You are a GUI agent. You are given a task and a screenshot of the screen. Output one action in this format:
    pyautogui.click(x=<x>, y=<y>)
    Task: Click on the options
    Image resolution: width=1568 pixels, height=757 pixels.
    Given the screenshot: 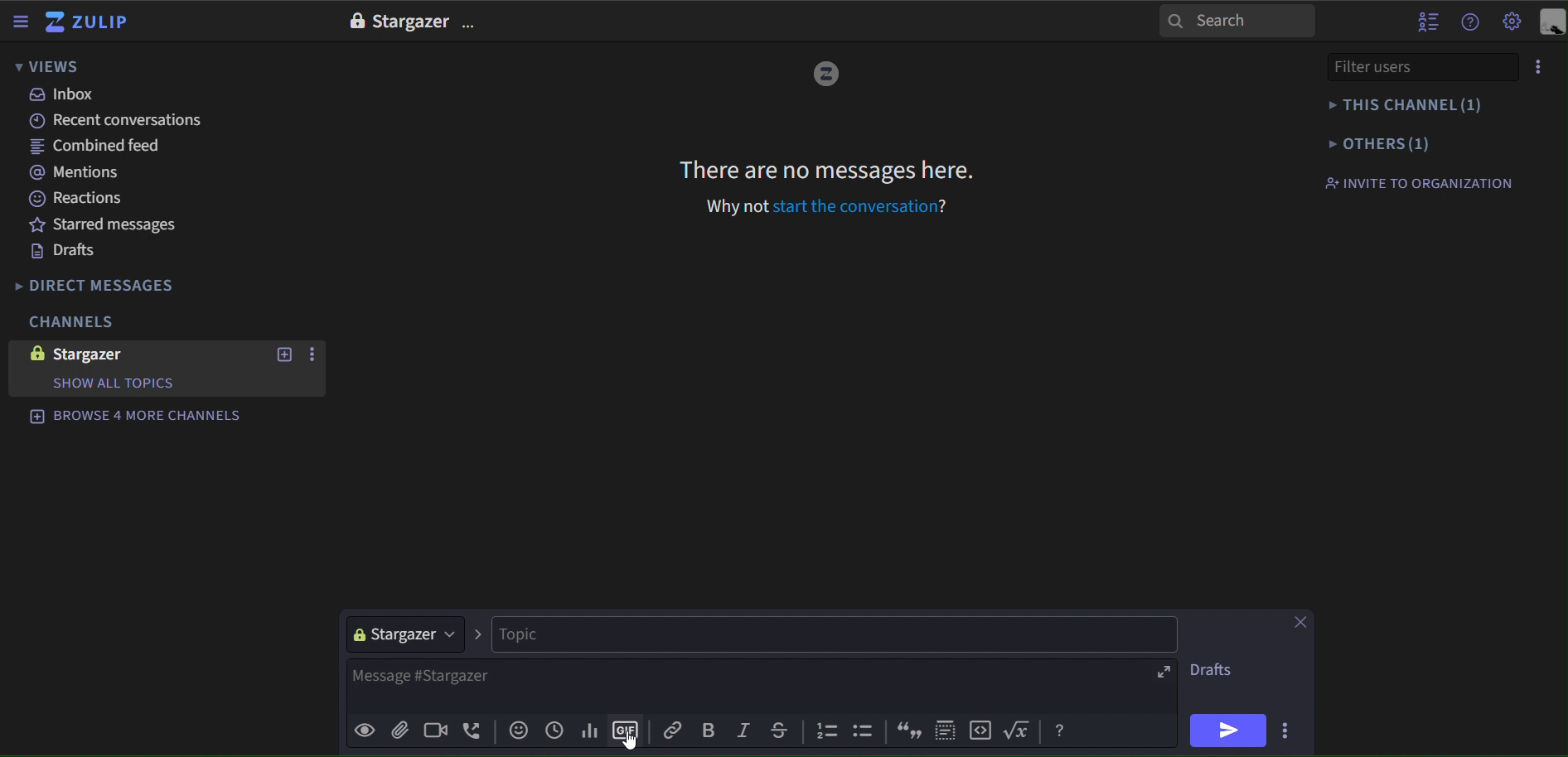 What is the action you would take?
    pyautogui.click(x=472, y=25)
    